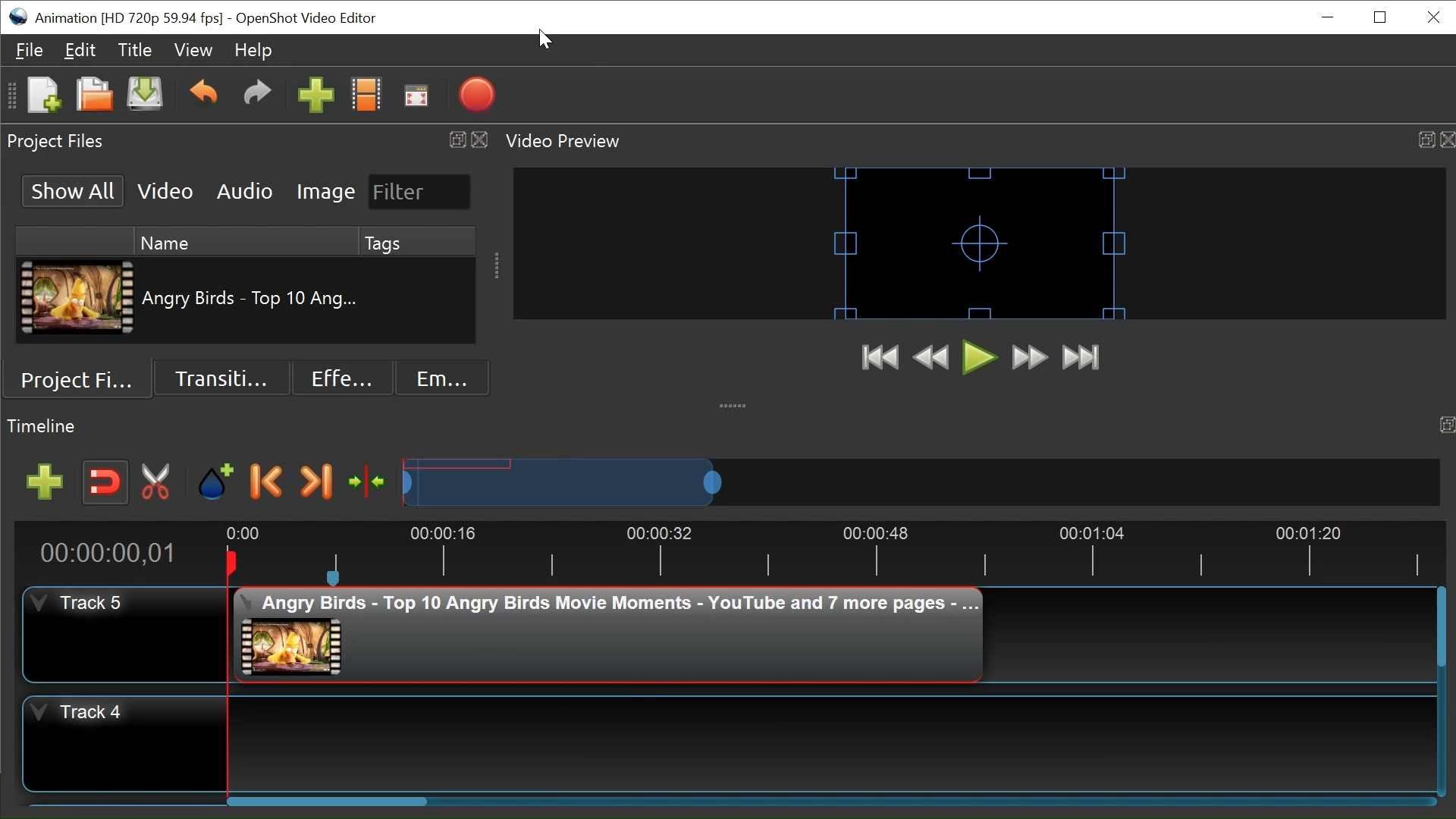  What do you see at coordinates (87, 382) in the screenshot?
I see `Project Files` at bounding box center [87, 382].